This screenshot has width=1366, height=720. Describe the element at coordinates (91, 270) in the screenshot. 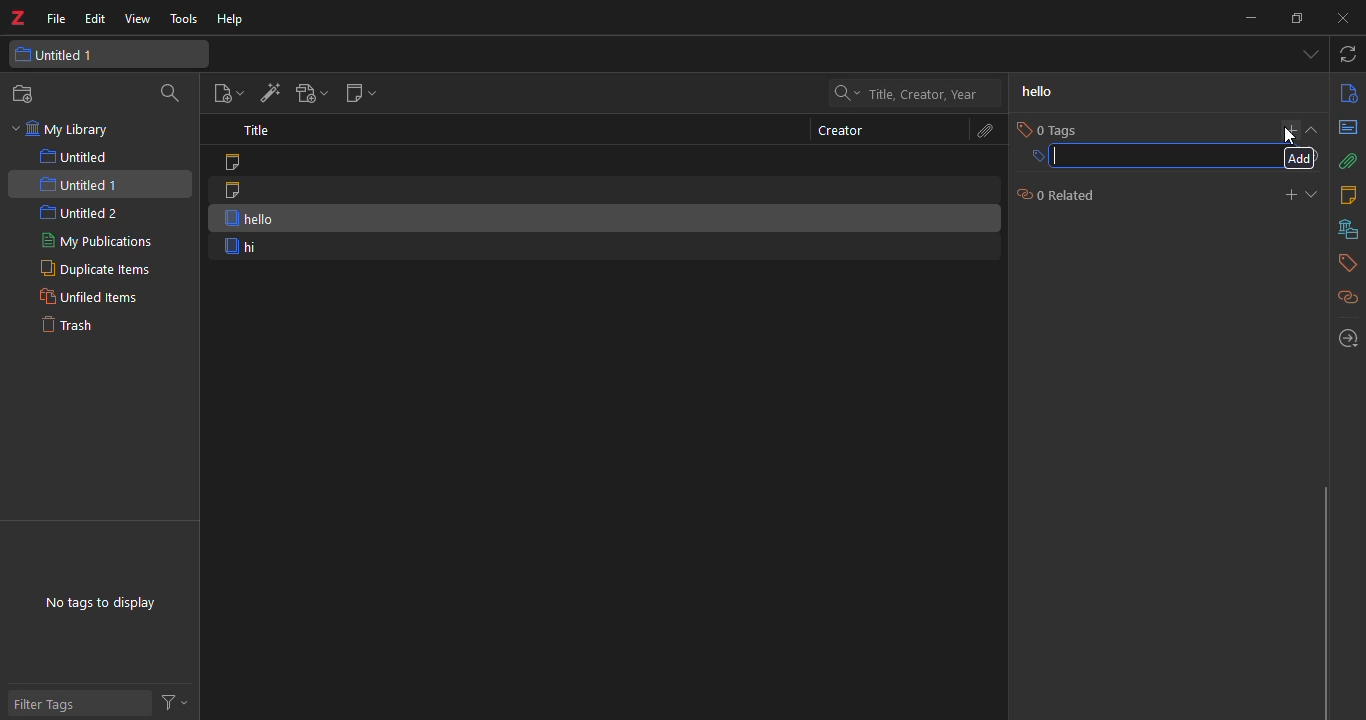

I see `duplicate items` at that location.